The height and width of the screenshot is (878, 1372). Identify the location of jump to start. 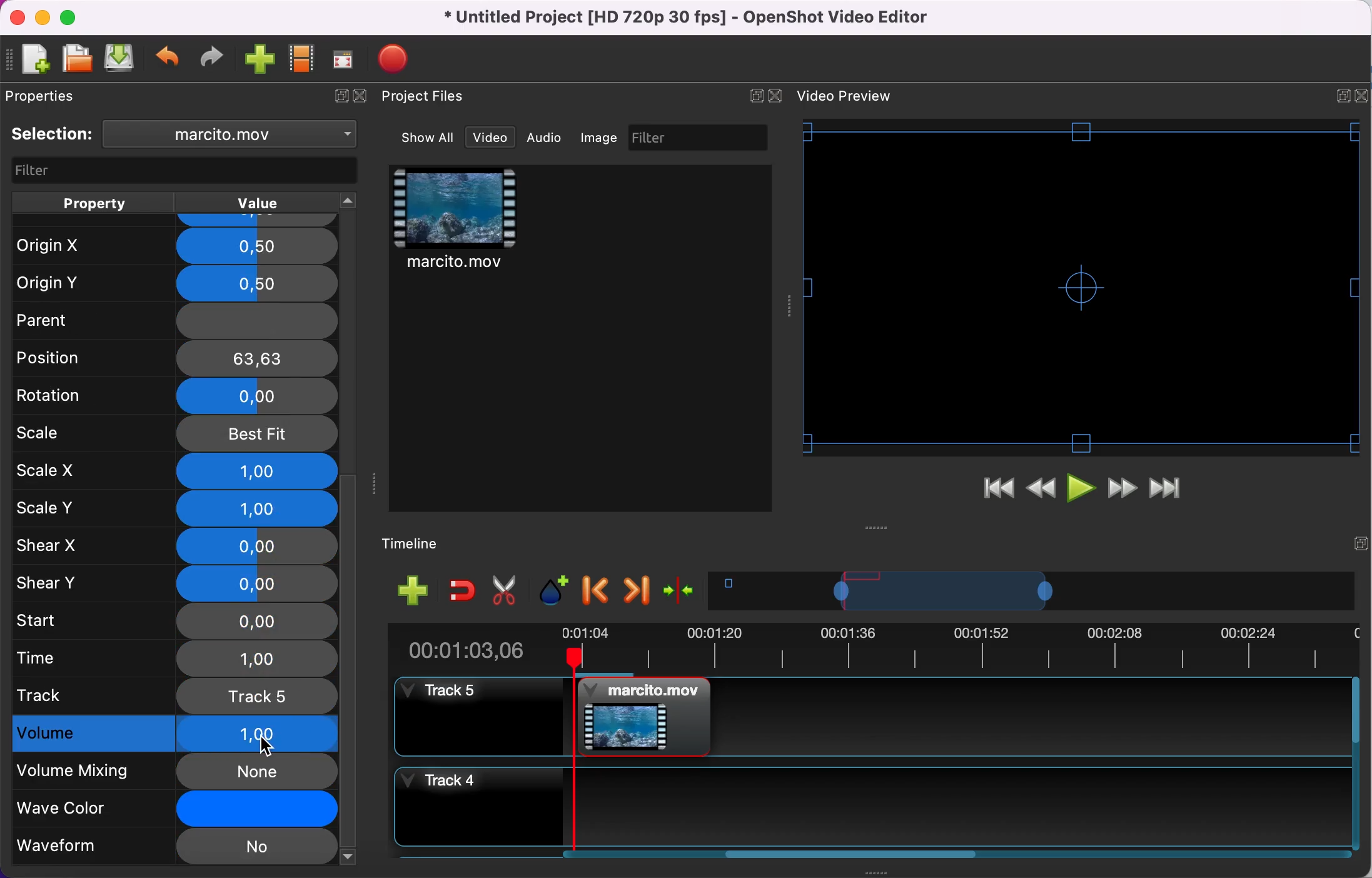
(998, 492).